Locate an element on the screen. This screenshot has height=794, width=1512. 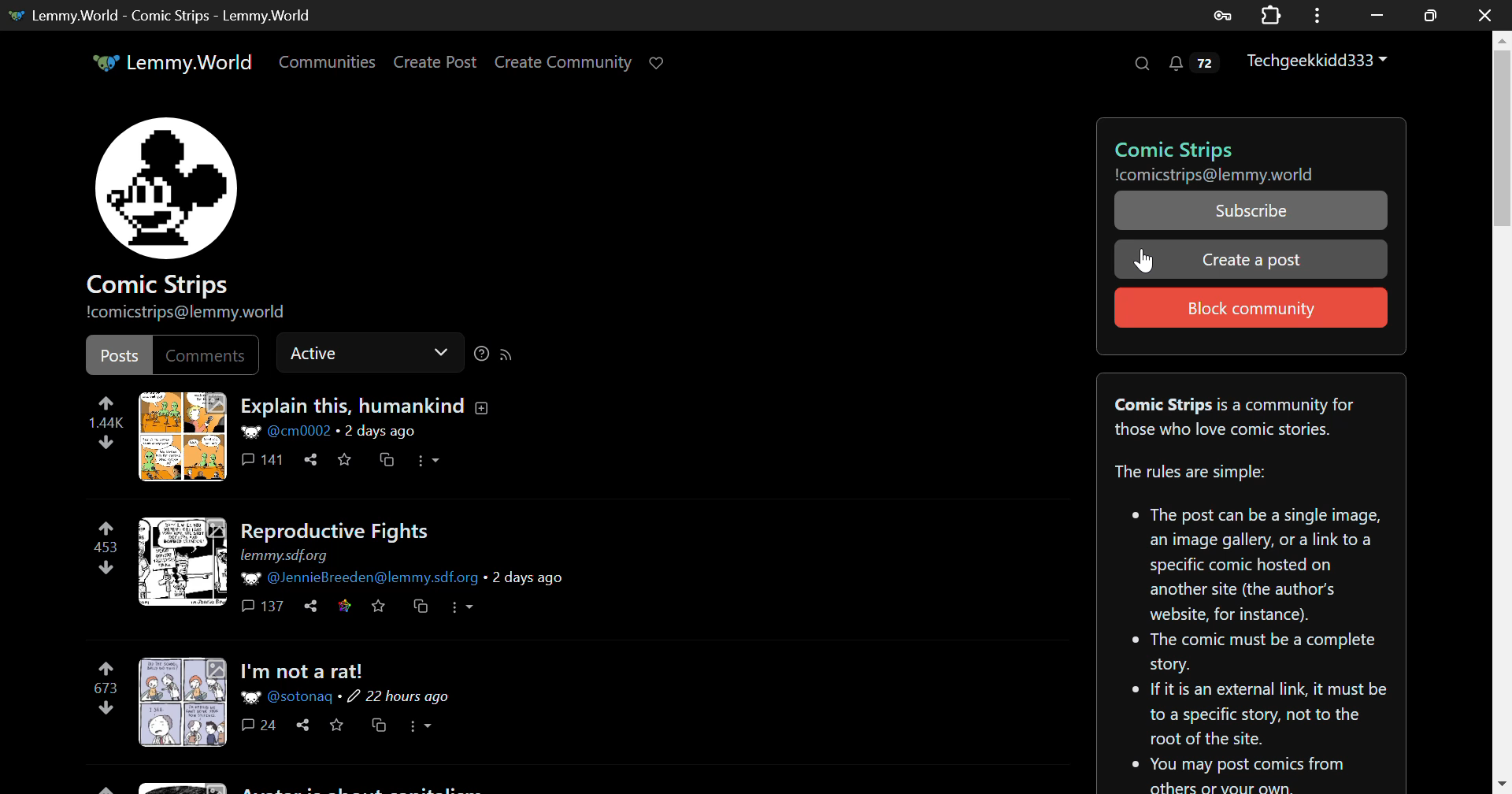
Post Media is located at coordinates (183, 561).